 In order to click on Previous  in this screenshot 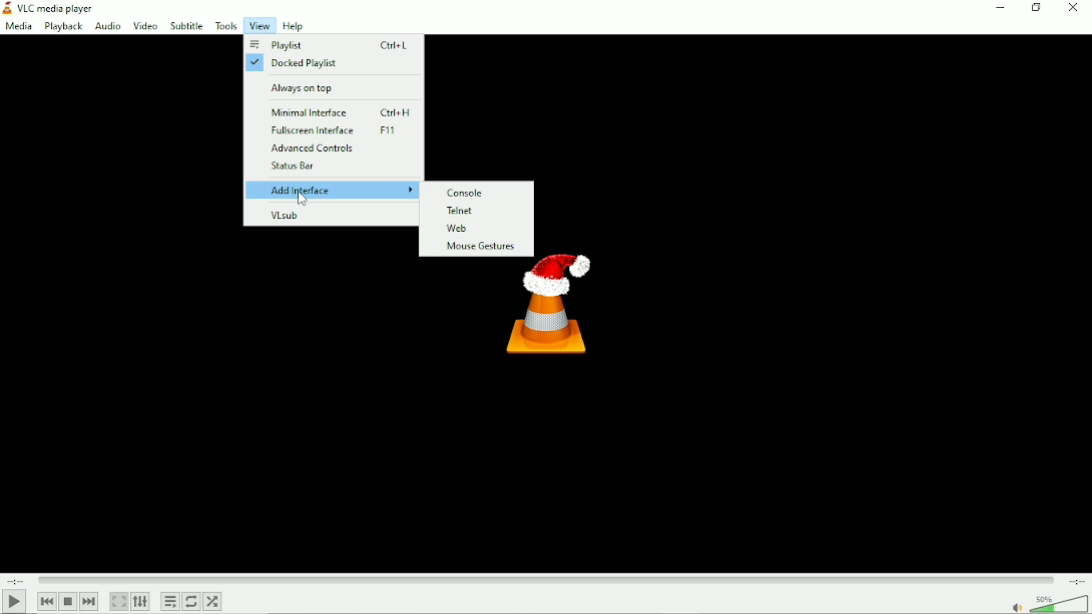, I will do `click(47, 602)`.